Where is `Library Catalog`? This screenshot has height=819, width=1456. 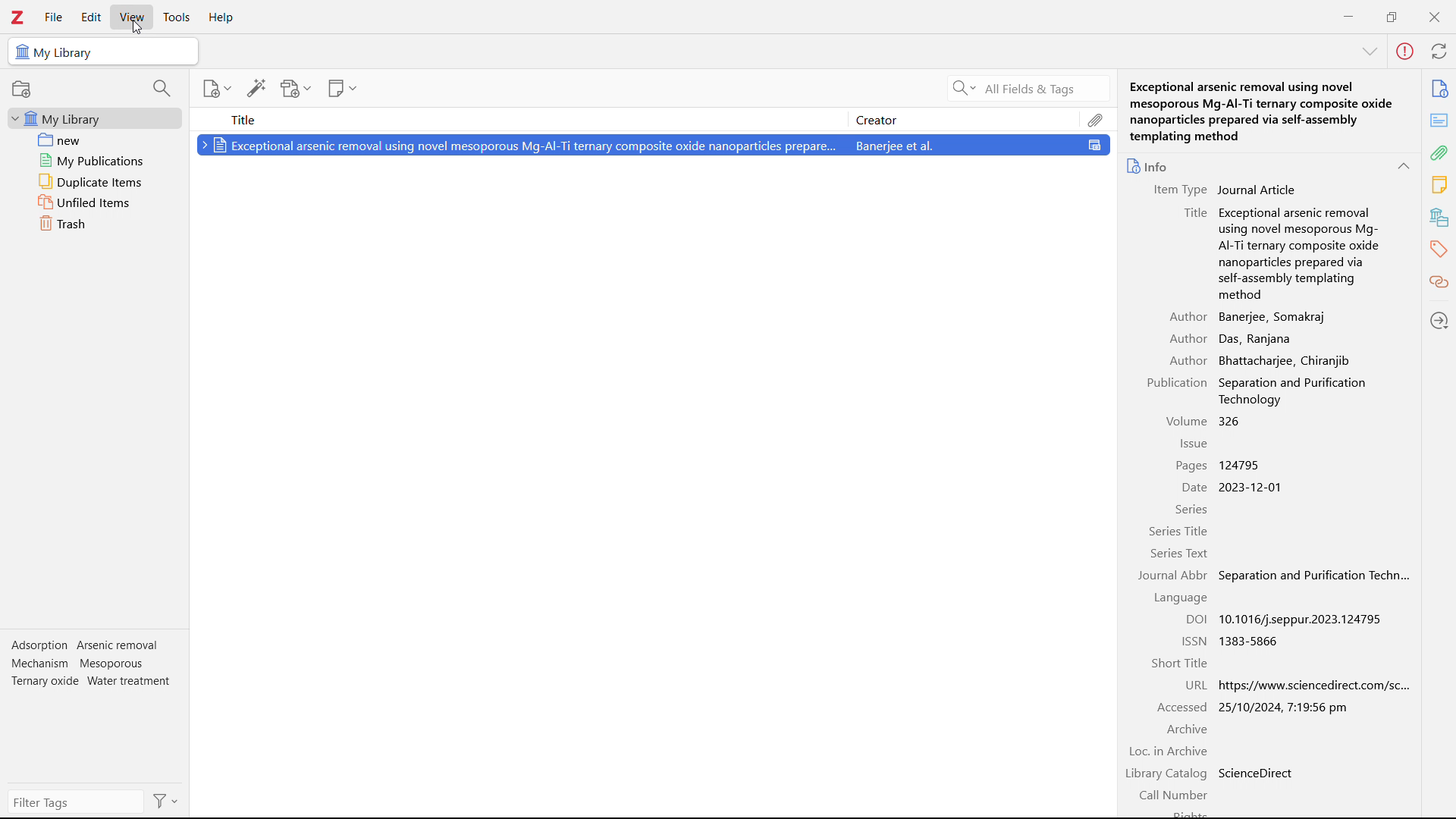
Library Catalog is located at coordinates (1165, 773).